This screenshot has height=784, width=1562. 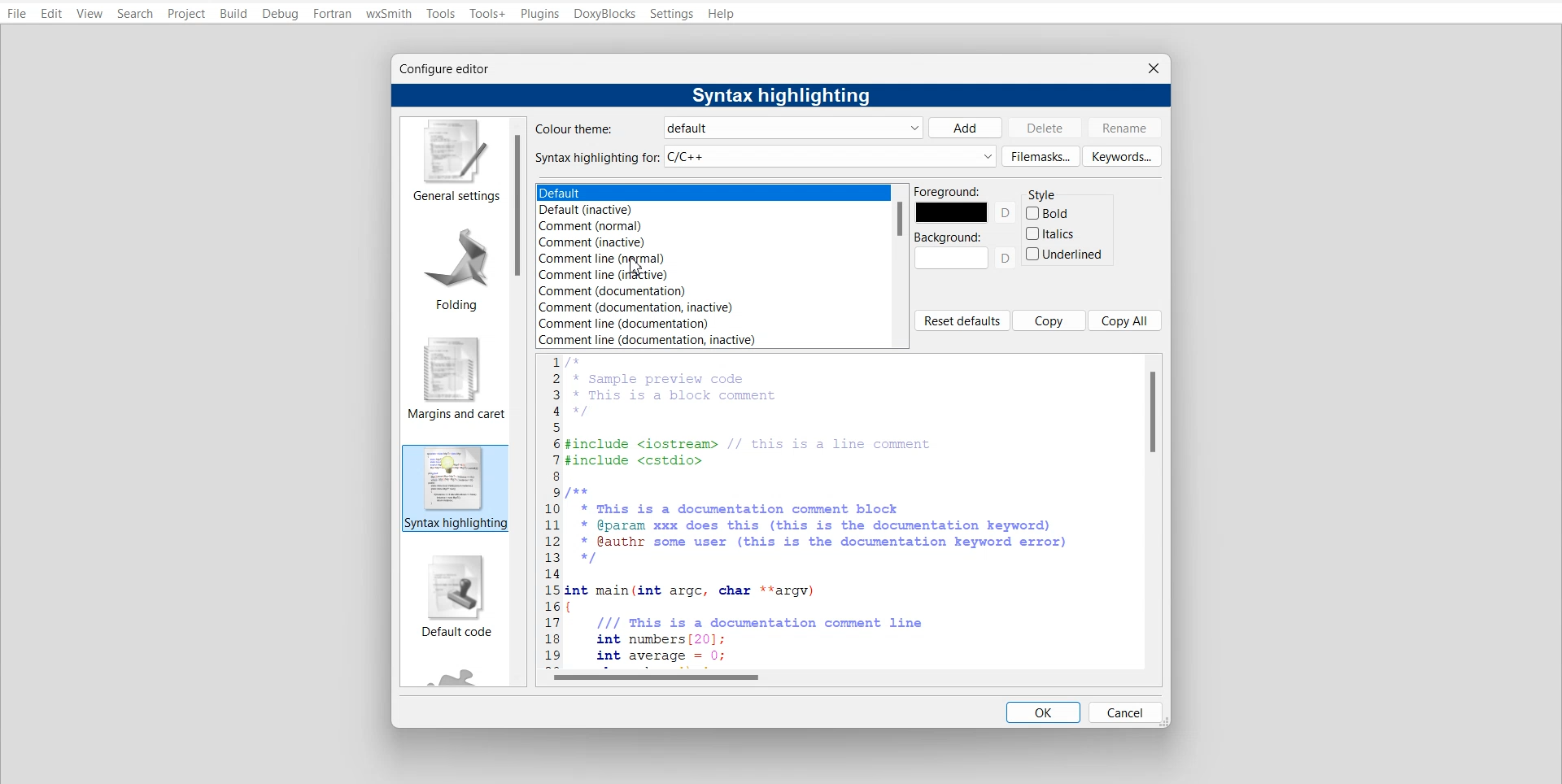 I want to click on Style, so click(x=1042, y=195).